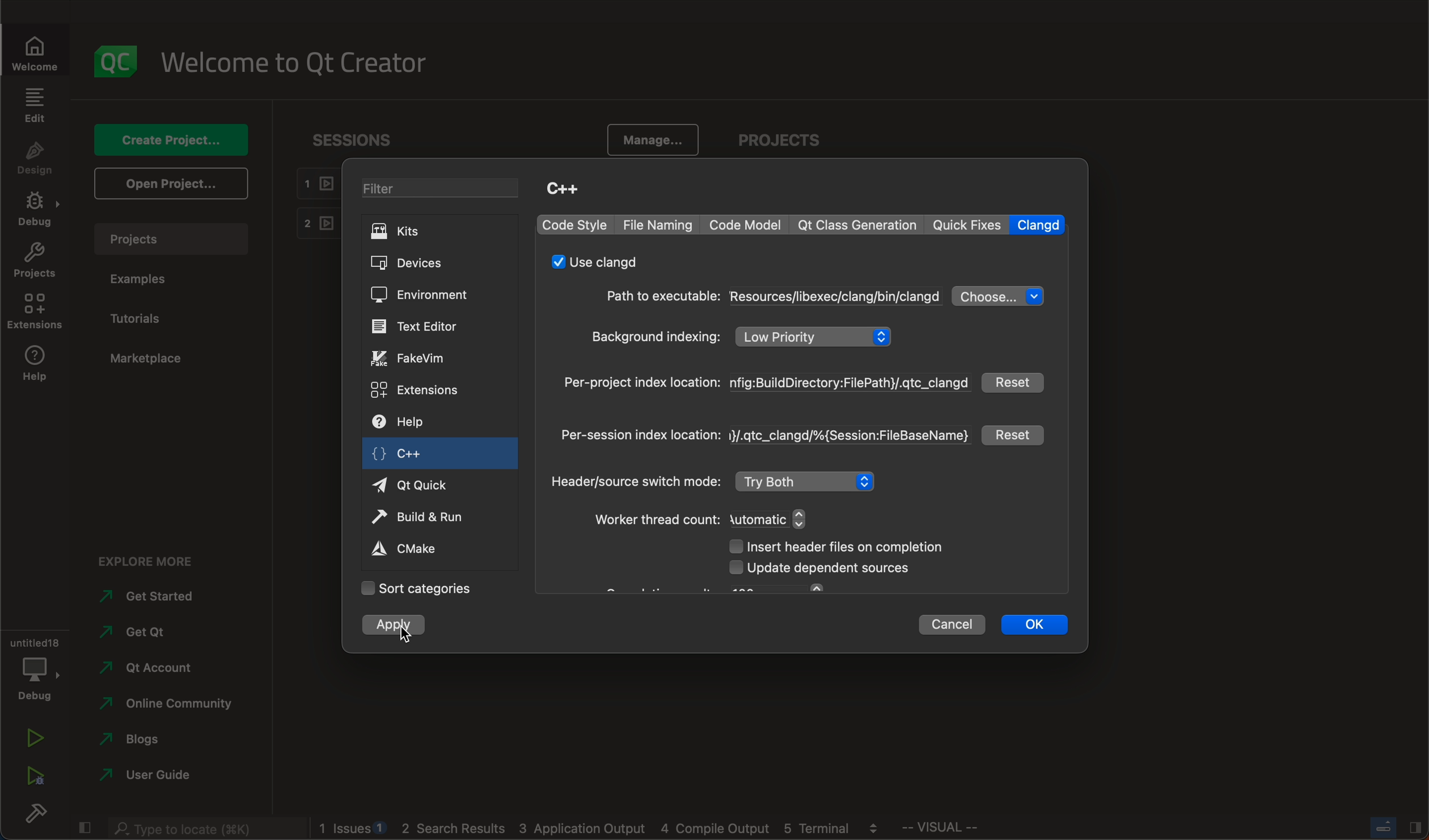 This screenshot has height=840, width=1429. What do you see at coordinates (145, 315) in the screenshot?
I see `tutorials` at bounding box center [145, 315].